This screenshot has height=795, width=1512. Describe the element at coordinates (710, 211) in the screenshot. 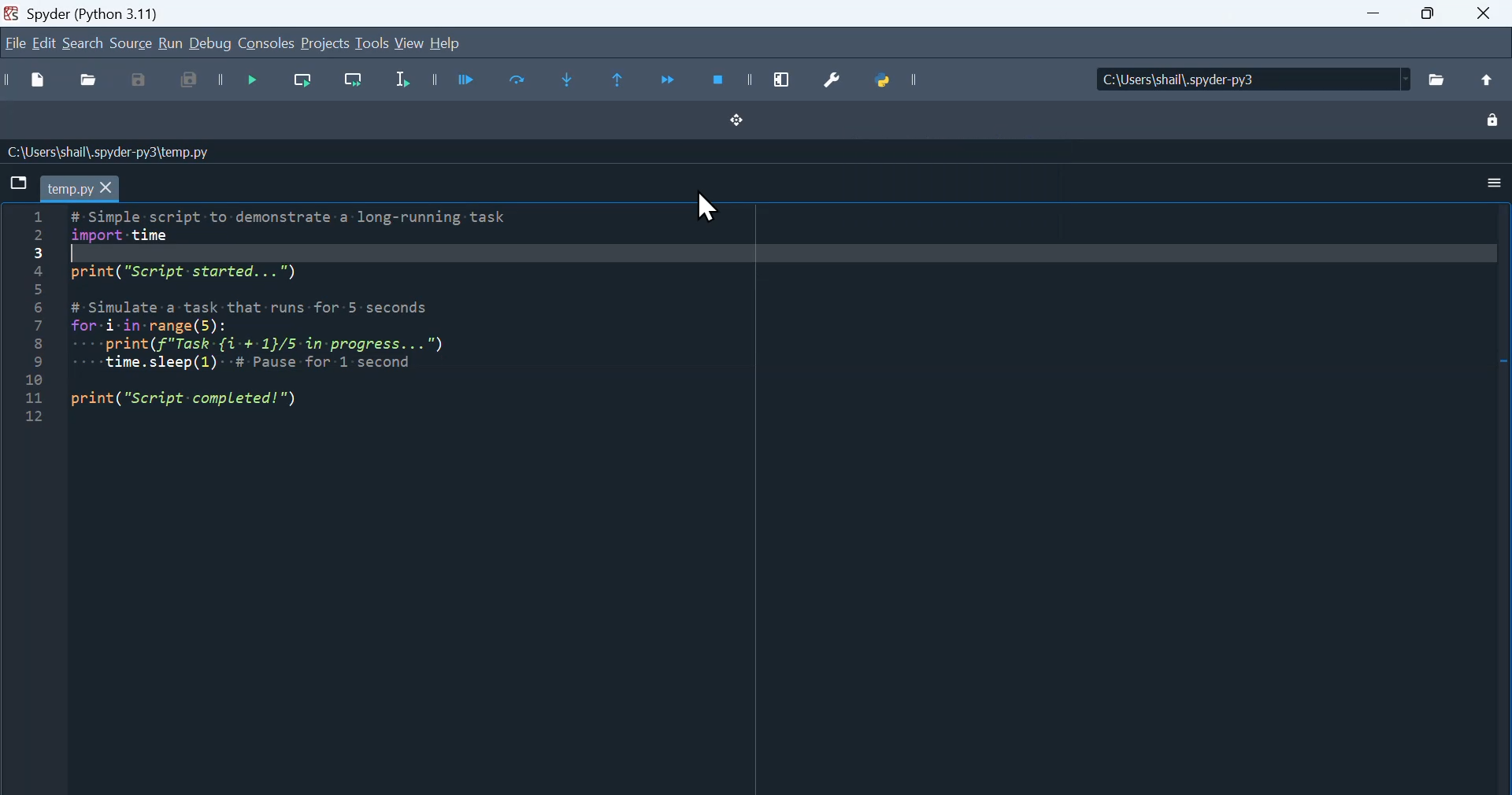

I see `Cursor` at that location.